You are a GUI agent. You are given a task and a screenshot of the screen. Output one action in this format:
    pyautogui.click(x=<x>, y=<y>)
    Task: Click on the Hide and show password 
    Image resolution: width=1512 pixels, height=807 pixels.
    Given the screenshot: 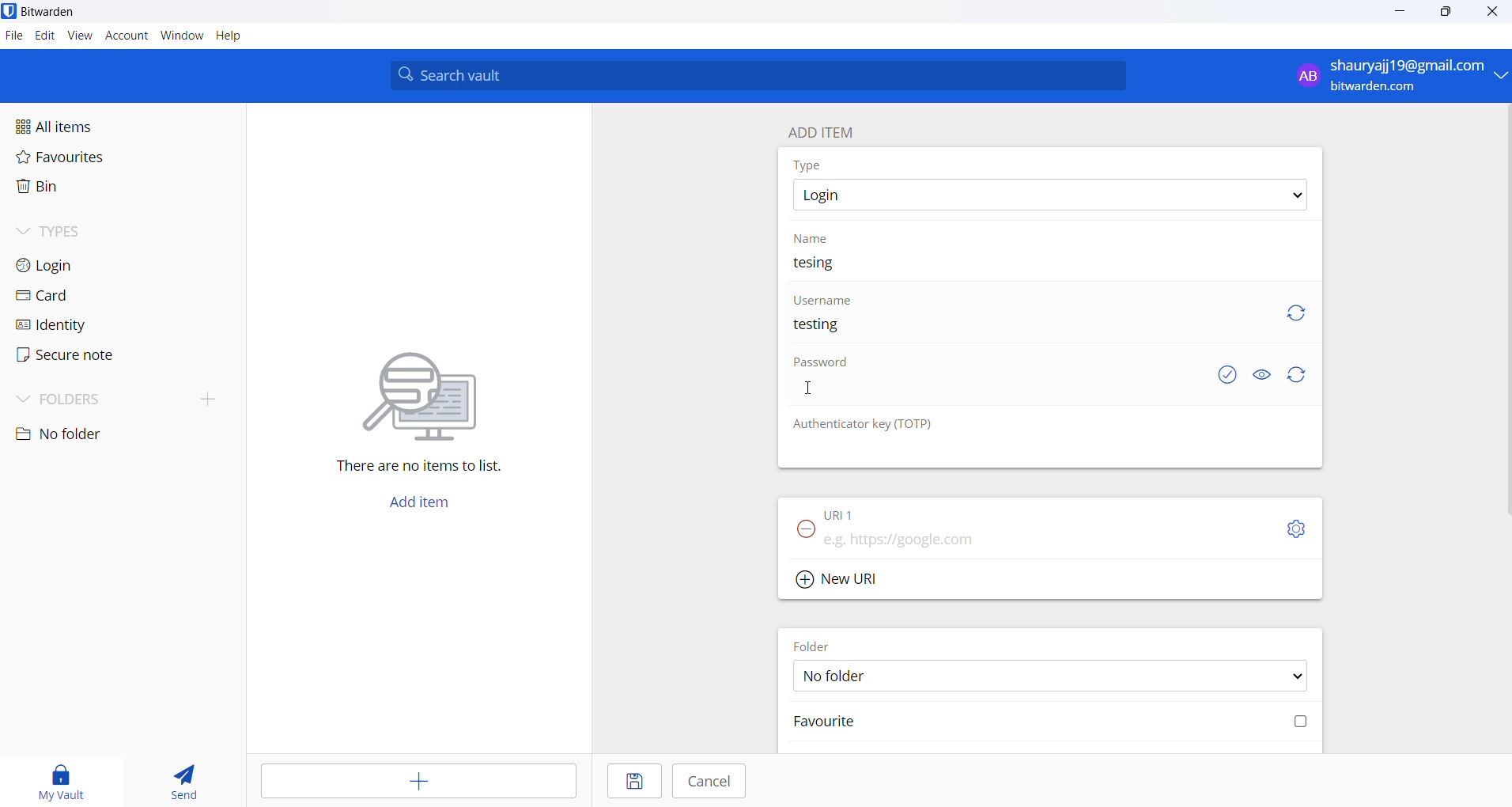 What is the action you would take?
    pyautogui.click(x=1261, y=375)
    